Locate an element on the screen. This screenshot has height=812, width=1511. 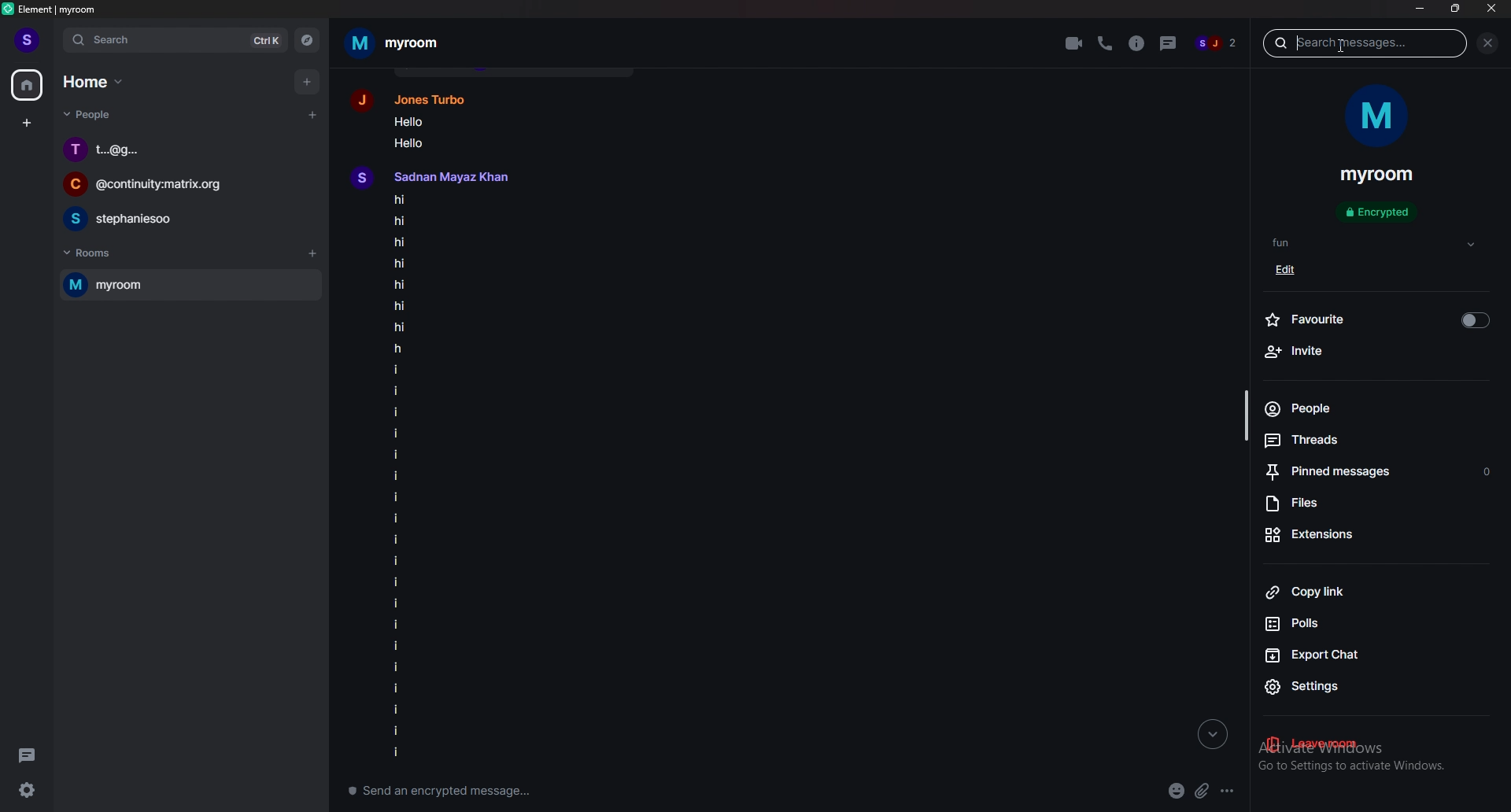
close is located at coordinates (1494, 9).